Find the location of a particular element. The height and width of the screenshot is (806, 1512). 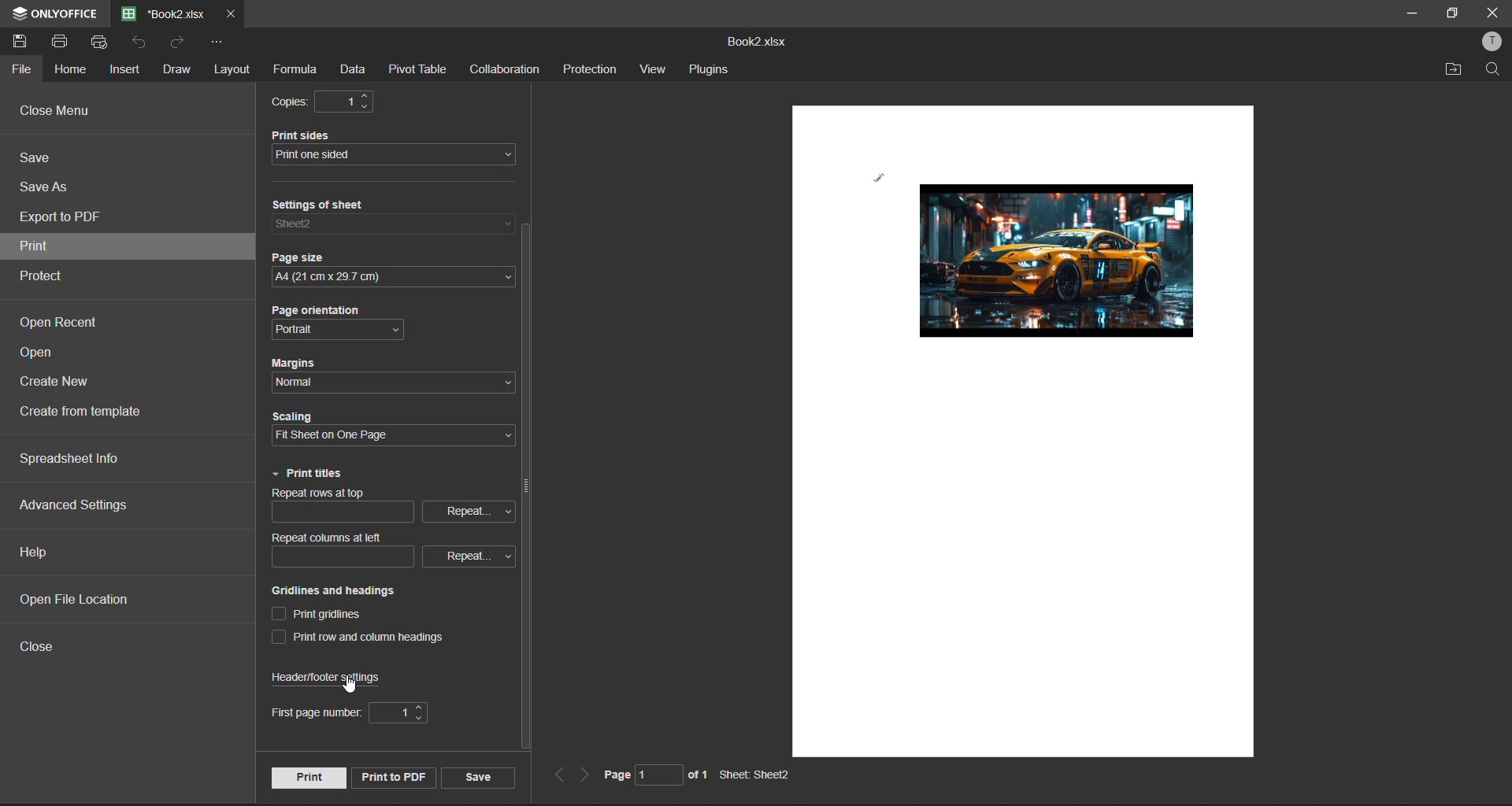

page number is located at coordinates (654, 778).